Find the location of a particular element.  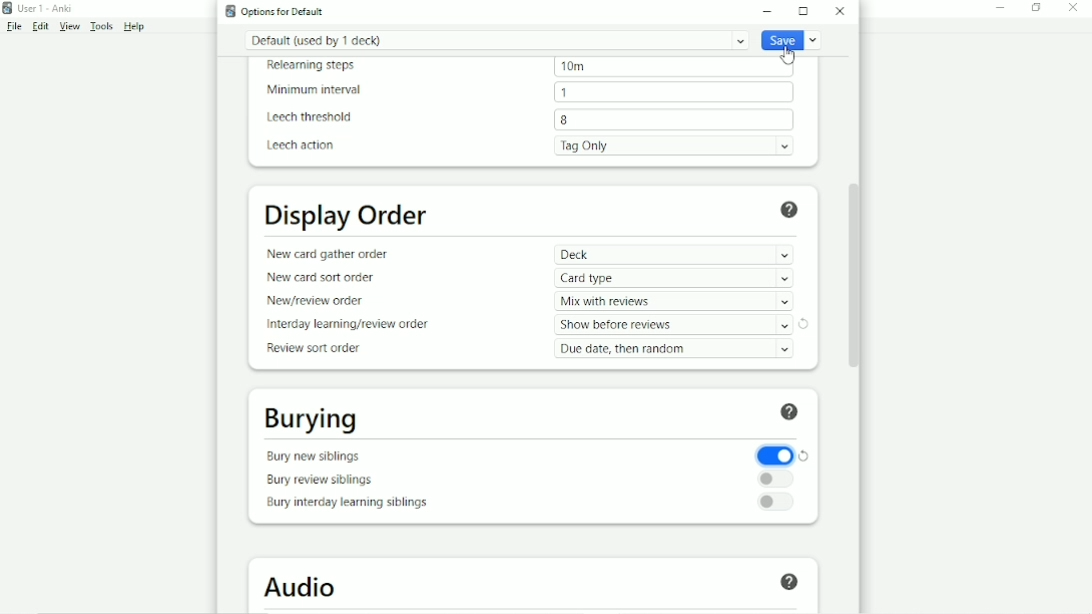

Audio is located at coordinates (305, 587).